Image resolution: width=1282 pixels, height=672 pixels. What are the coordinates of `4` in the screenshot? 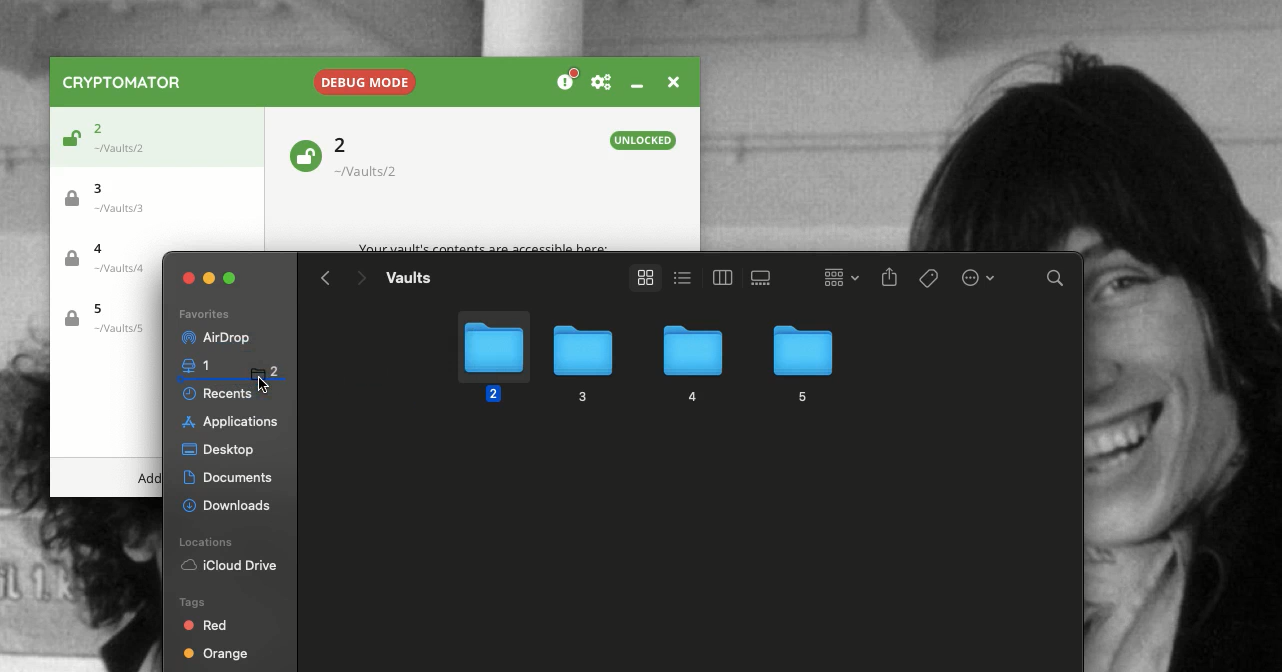 It's located at (690, 365).